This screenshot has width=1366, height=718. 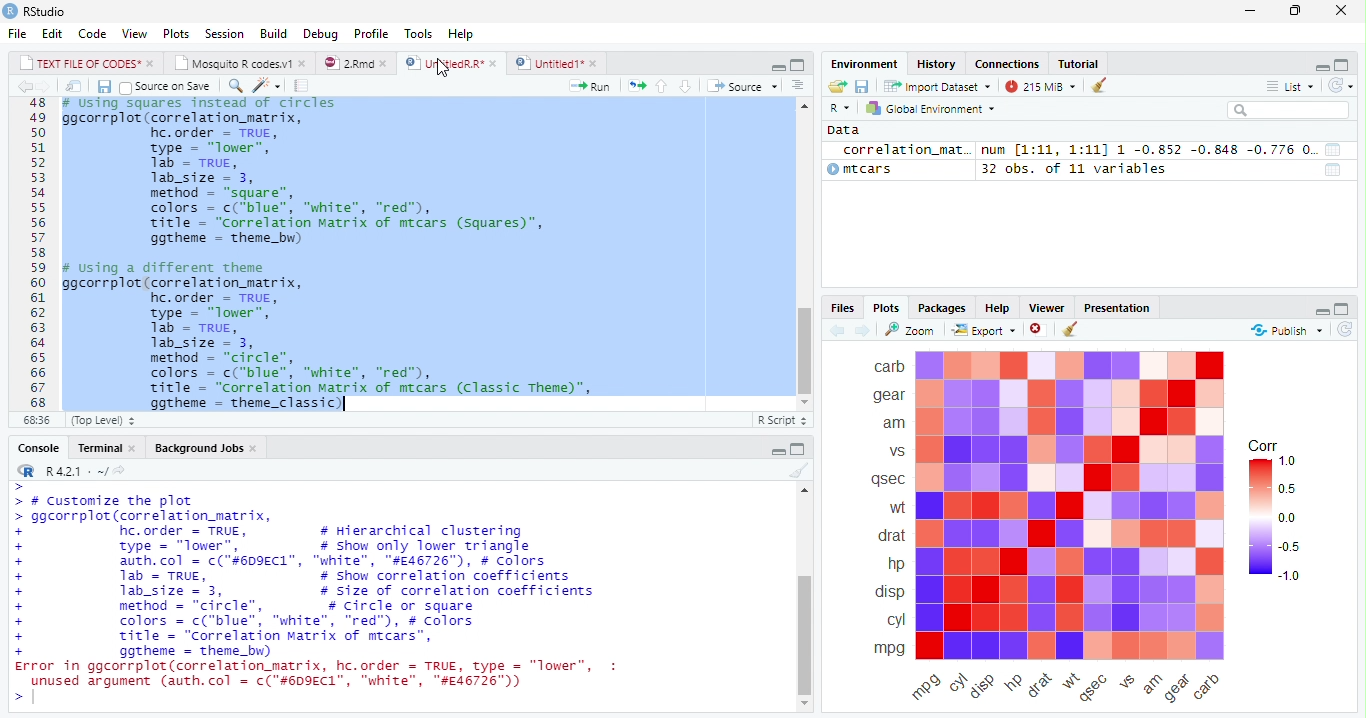 I want to click on zoom, so click(x=914, y=330).